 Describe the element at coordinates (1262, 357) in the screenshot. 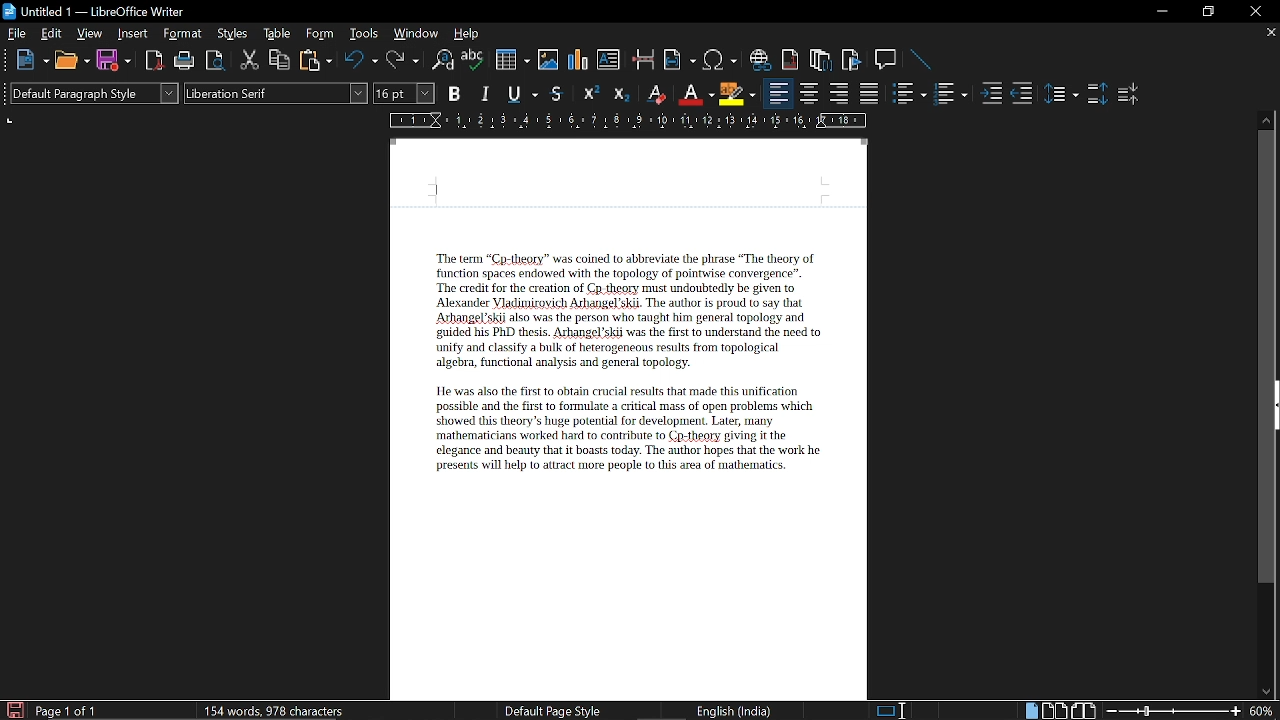

I see `vertical scrollbar` at that location.